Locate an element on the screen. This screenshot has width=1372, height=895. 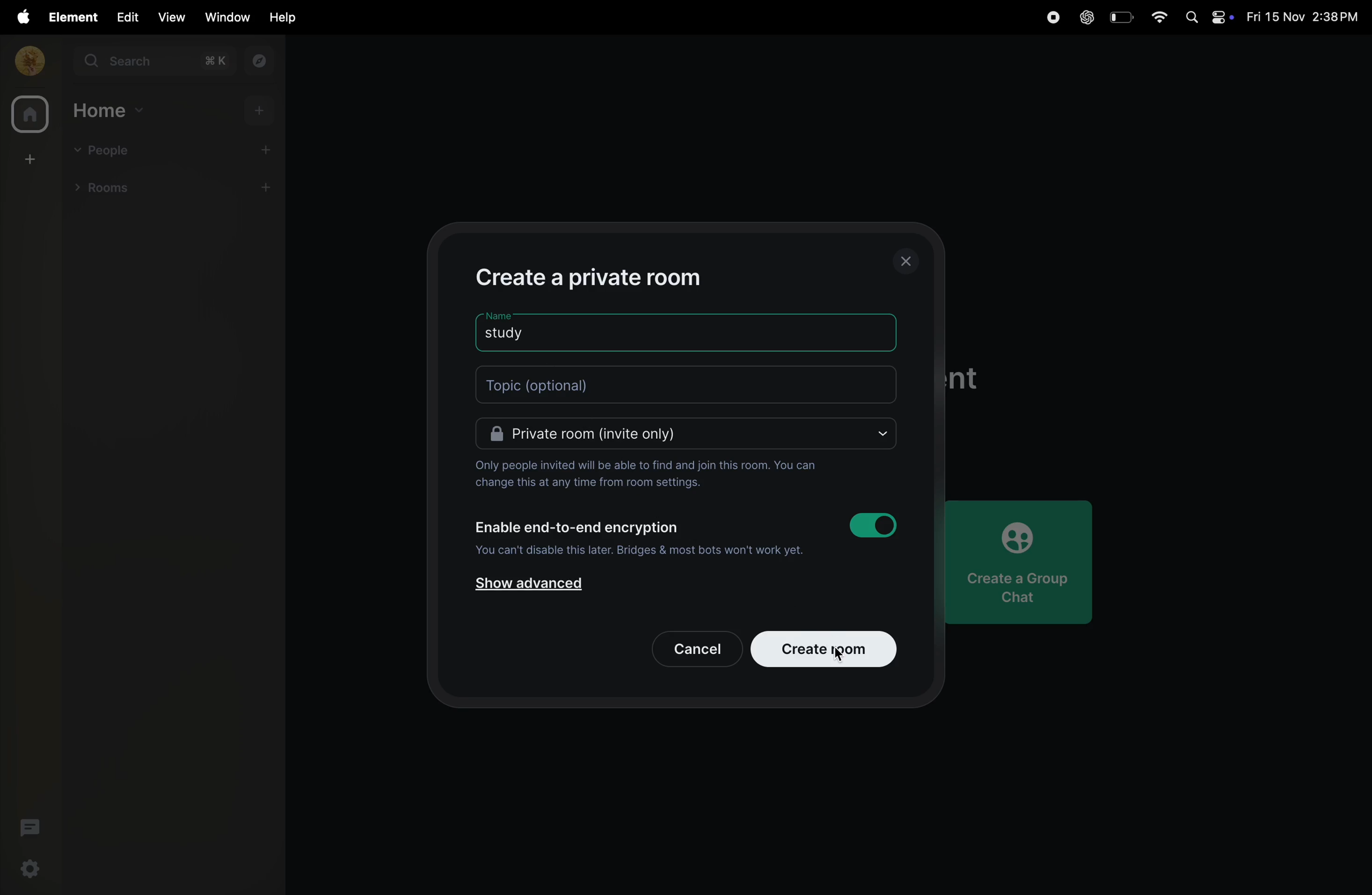
battery is located at coordinates (1120, 17).